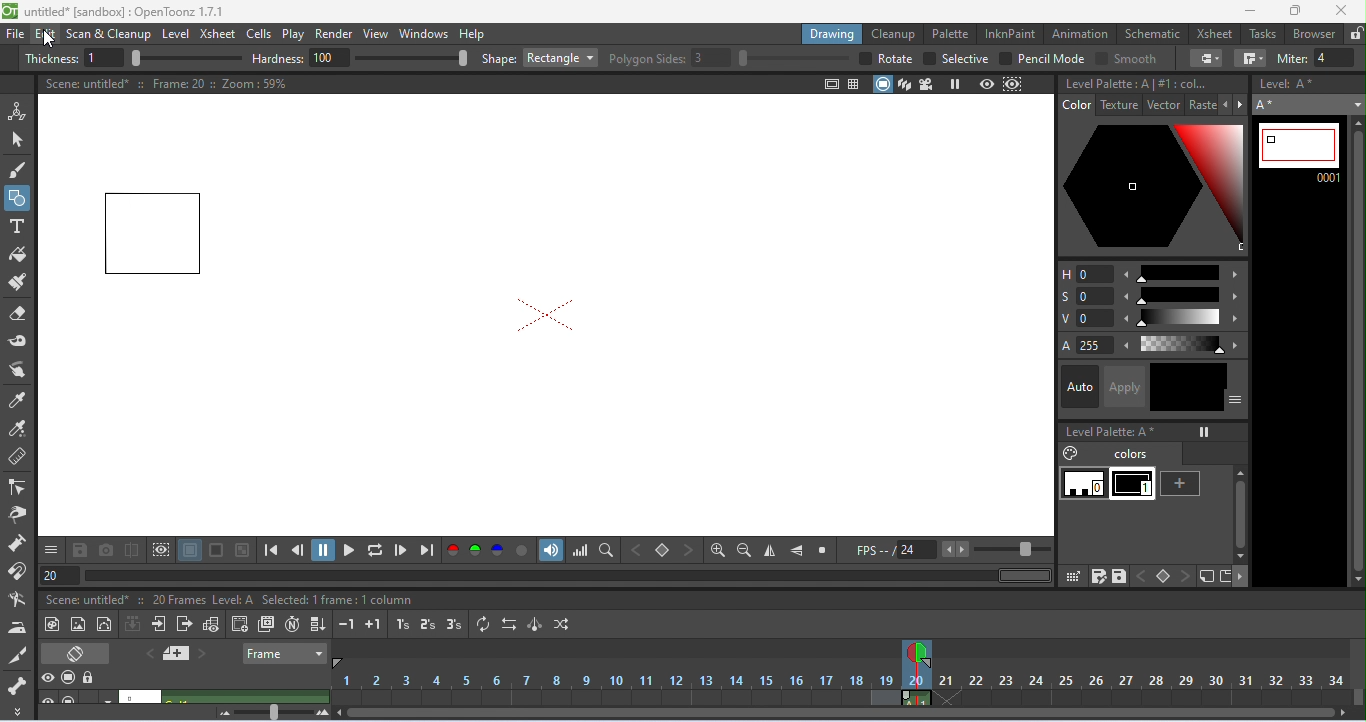 This screenshot has width=1366, height=722. Describe the element at coordinates (238, 624) in the screenshot. I see `create blank drawing` at that location.